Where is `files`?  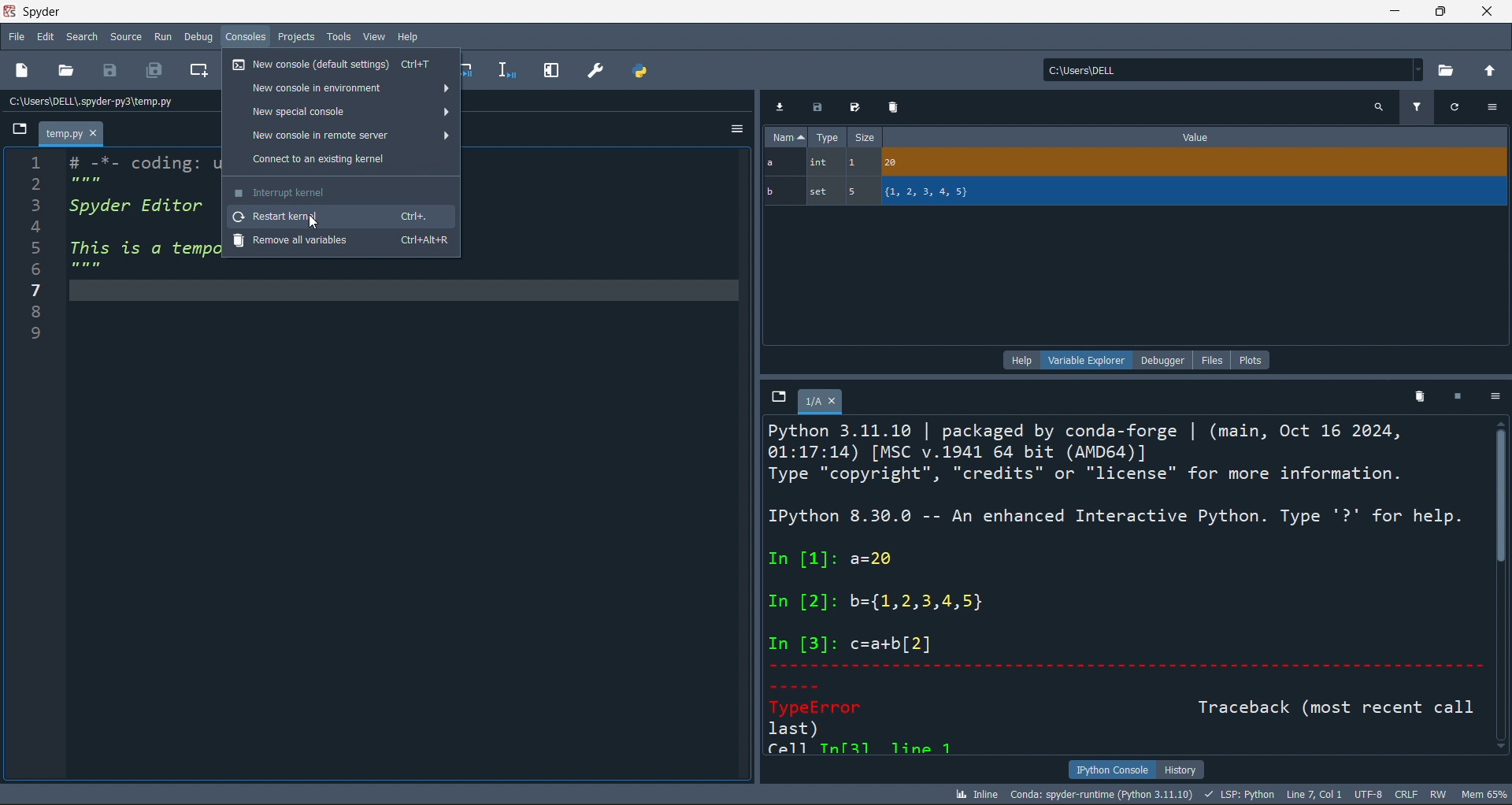 files is located at coordinates (1210, 360).